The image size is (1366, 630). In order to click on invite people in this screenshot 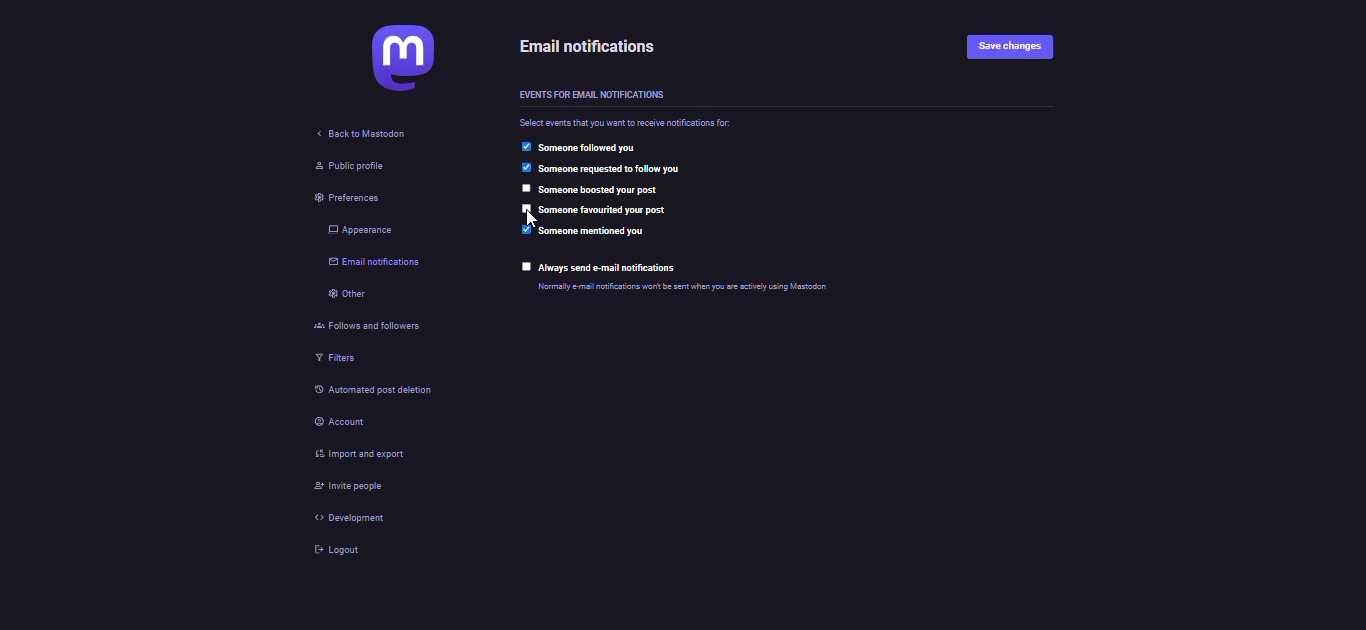, I will do `click(349, 487)`.